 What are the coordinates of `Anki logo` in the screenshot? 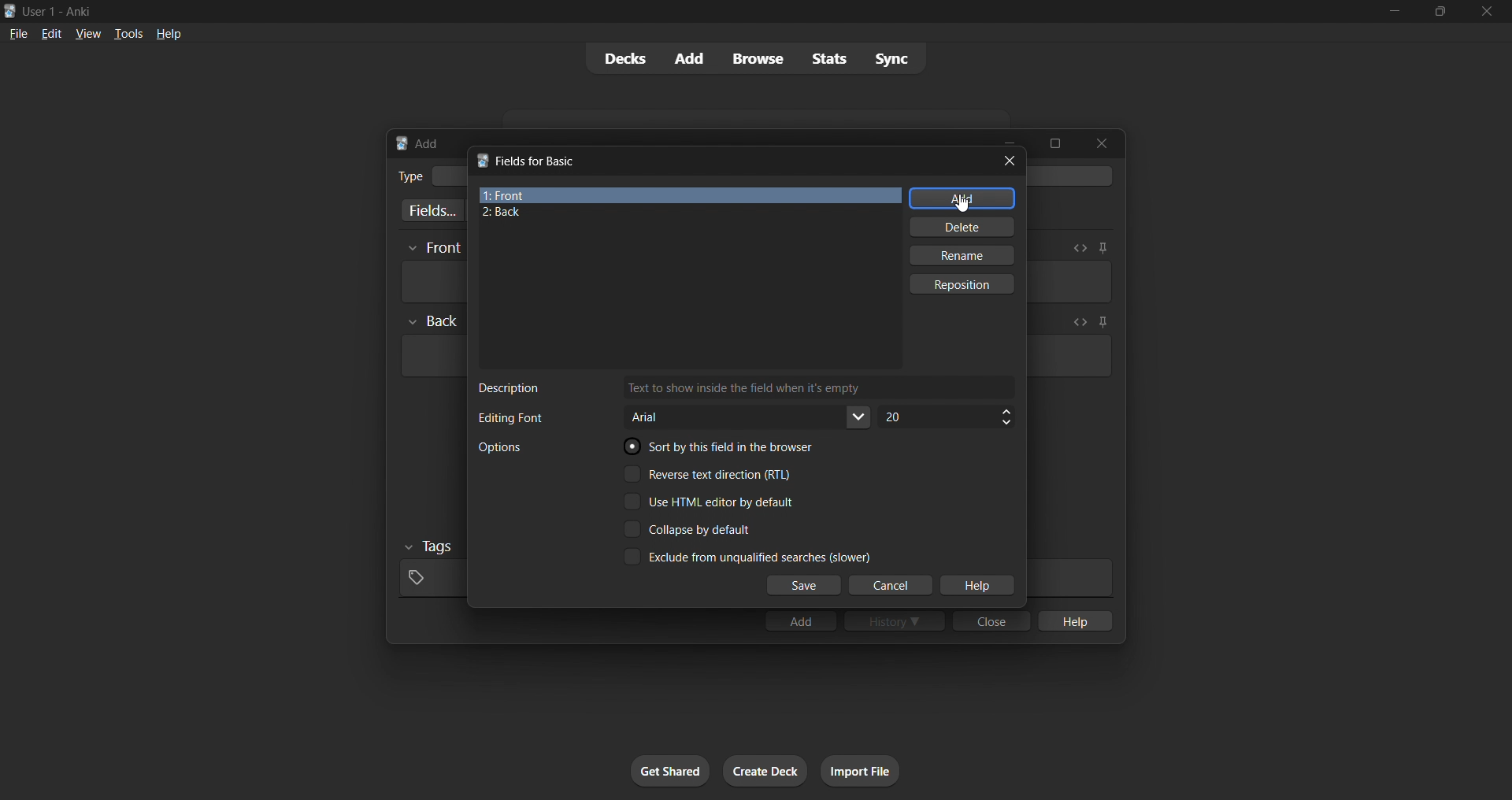 It's located at (402, 143).